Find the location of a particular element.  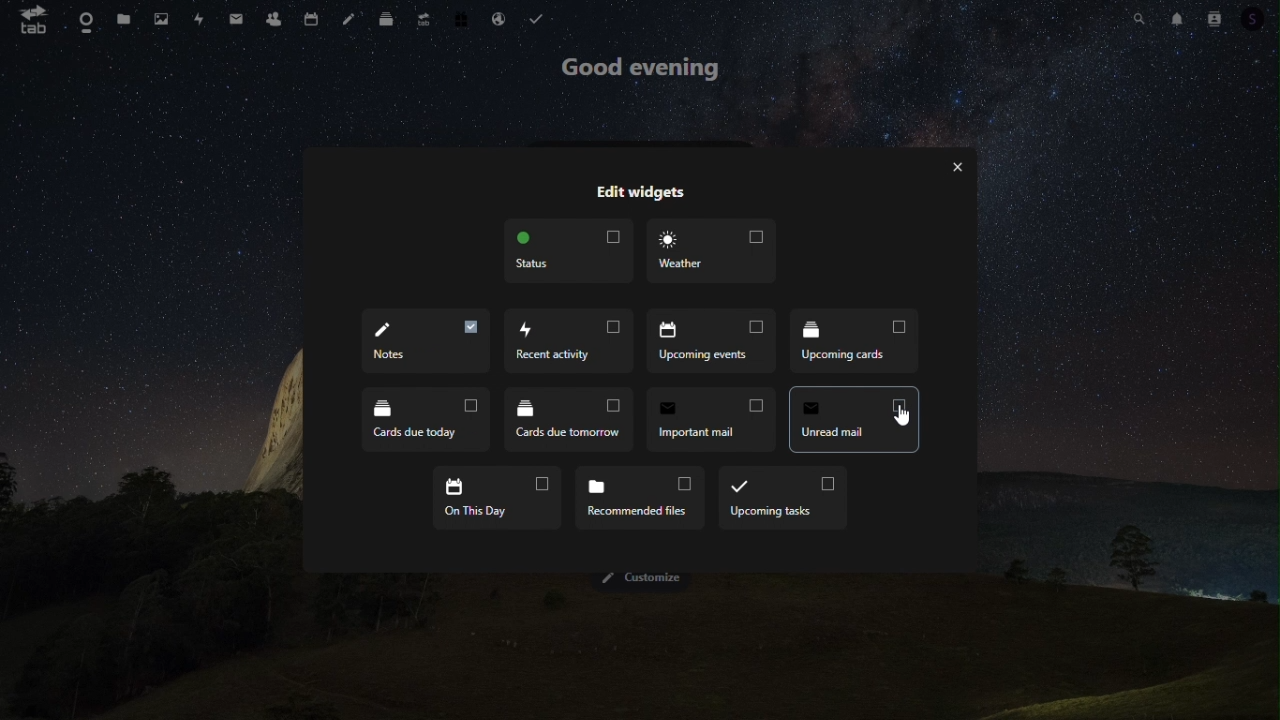

Status is located at coordinates (567, 253).